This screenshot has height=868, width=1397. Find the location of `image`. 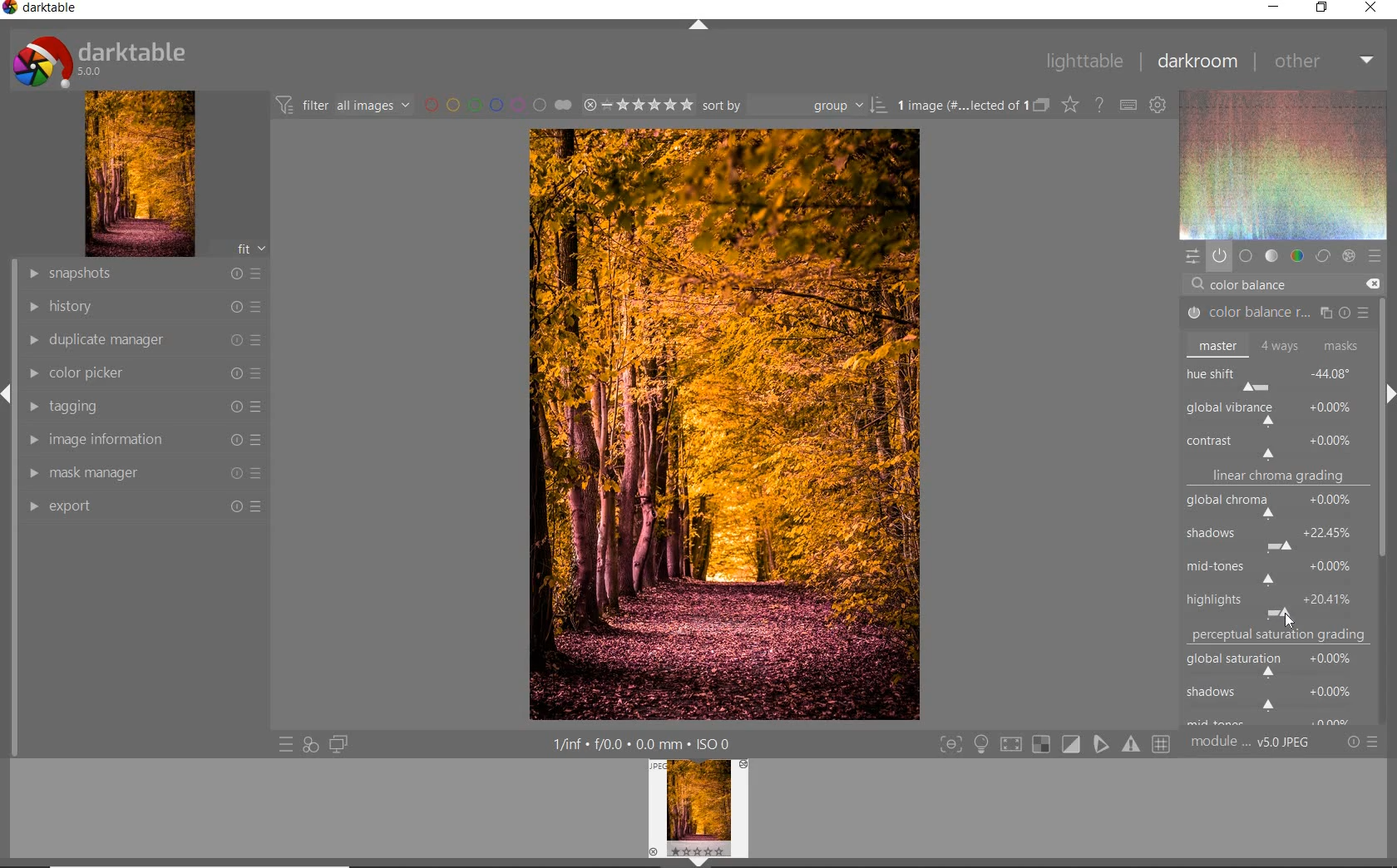

image is located at coordinates (141, 174).